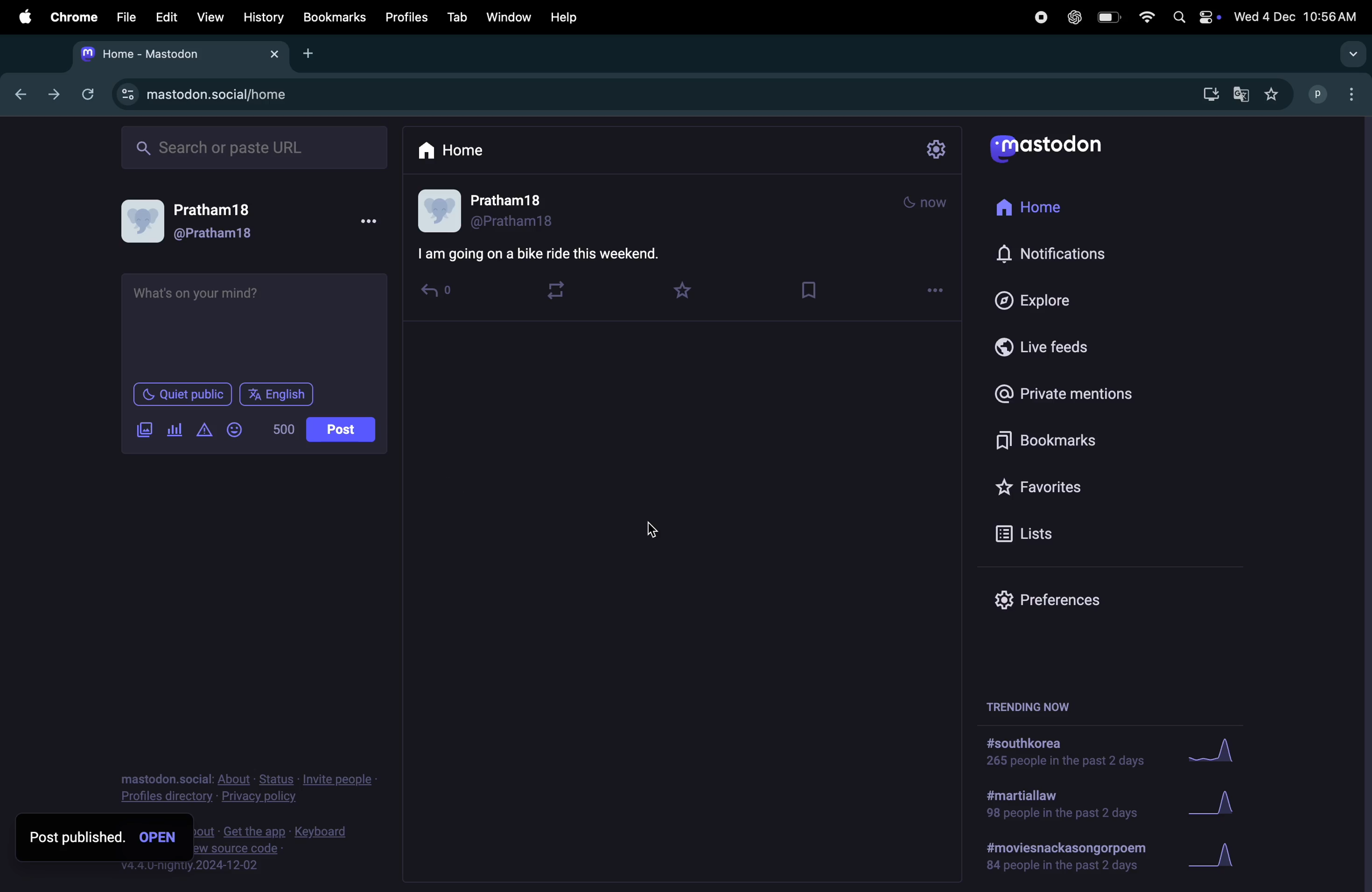 This screenshot has width=1372, height=892. Describe the element at coordinates (557, 289) in the screenshot. I see `boost` at that location.